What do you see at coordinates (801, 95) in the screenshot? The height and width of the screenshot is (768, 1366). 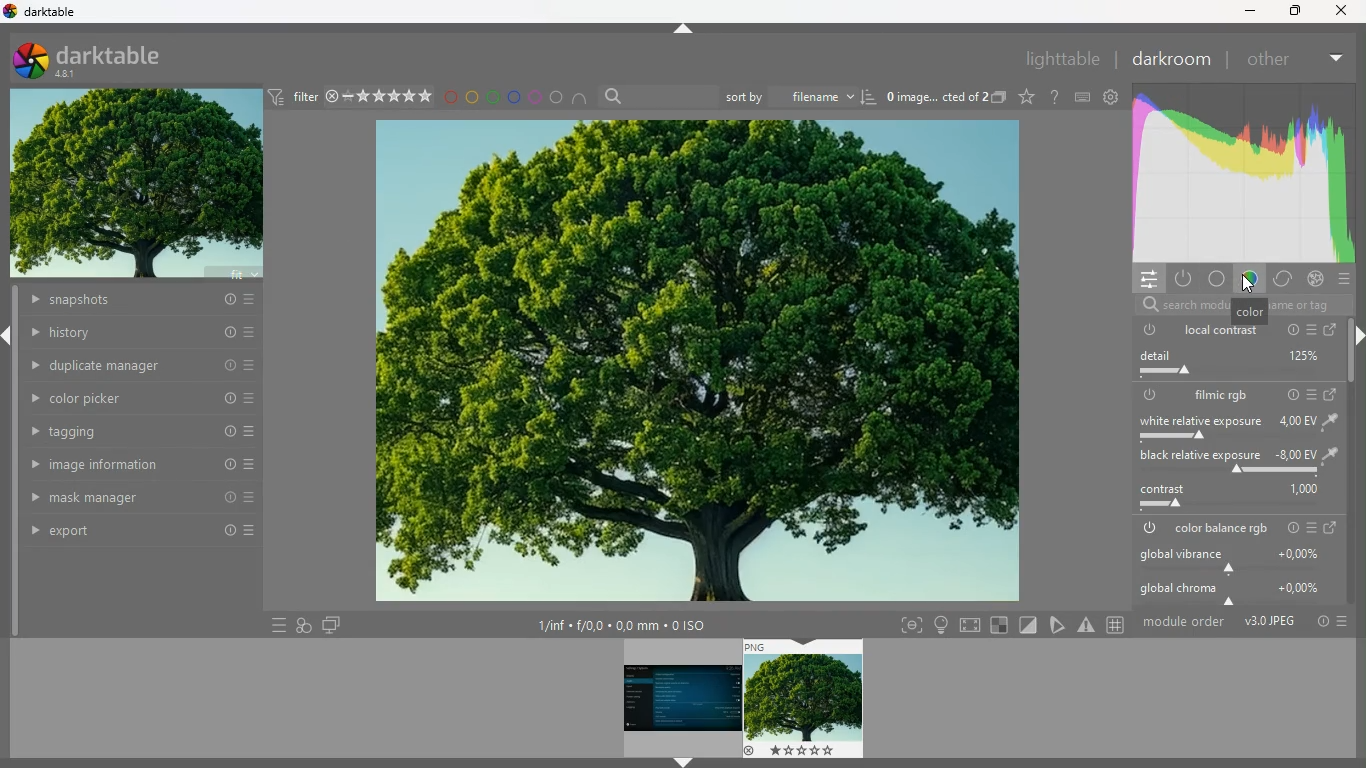 I see `sort by filename` at bounding box center [801, 95].